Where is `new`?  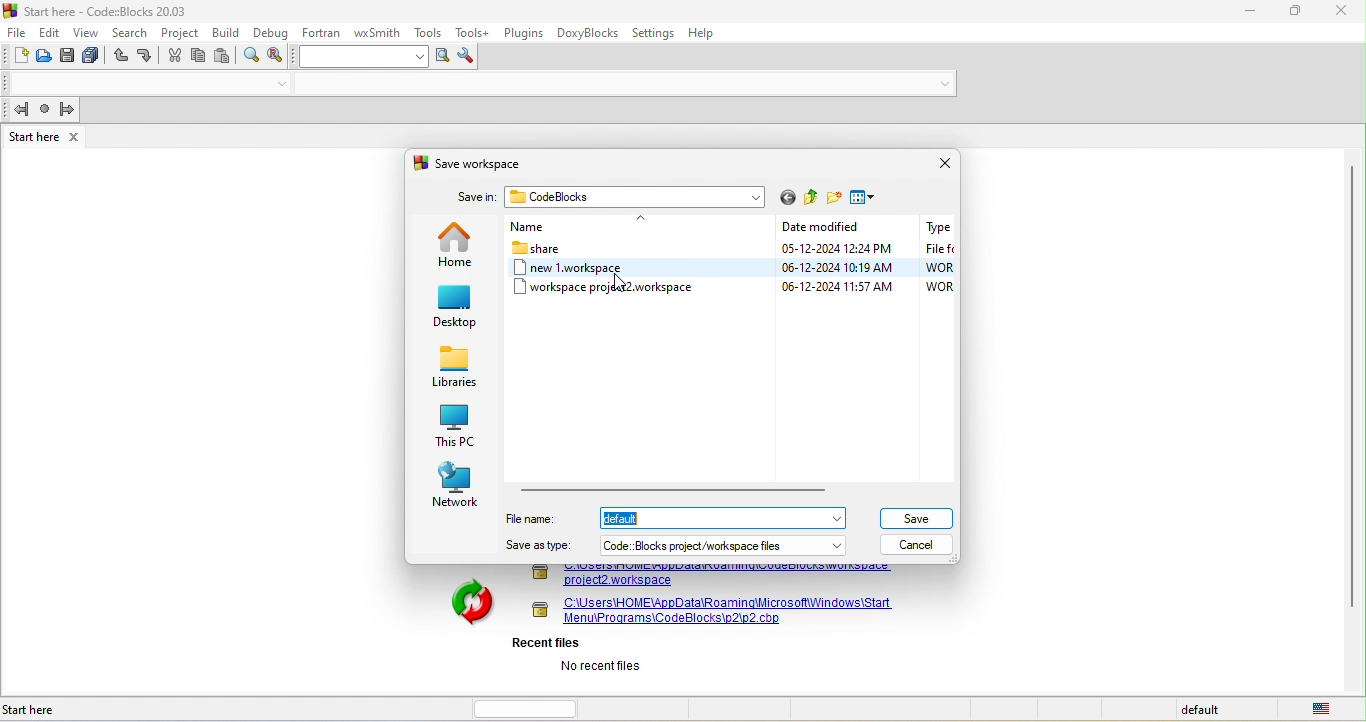
new is located at coordinates (17, 57).